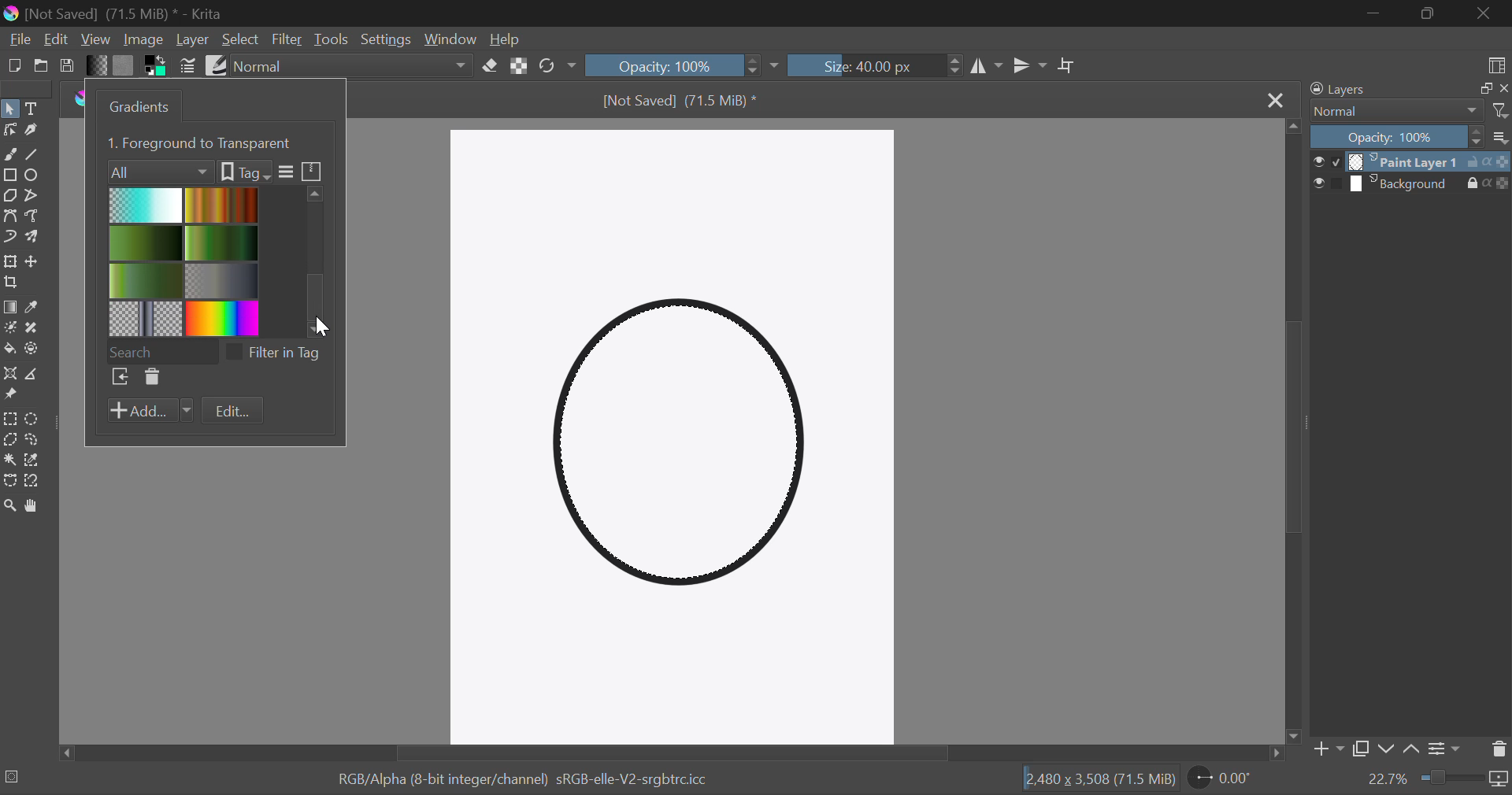 The width and height of the screenshot is (1512, 795). What do you see at coordinates (11, 284) in the screenshot?
I see `Crop` at bounding box center [11, 284].